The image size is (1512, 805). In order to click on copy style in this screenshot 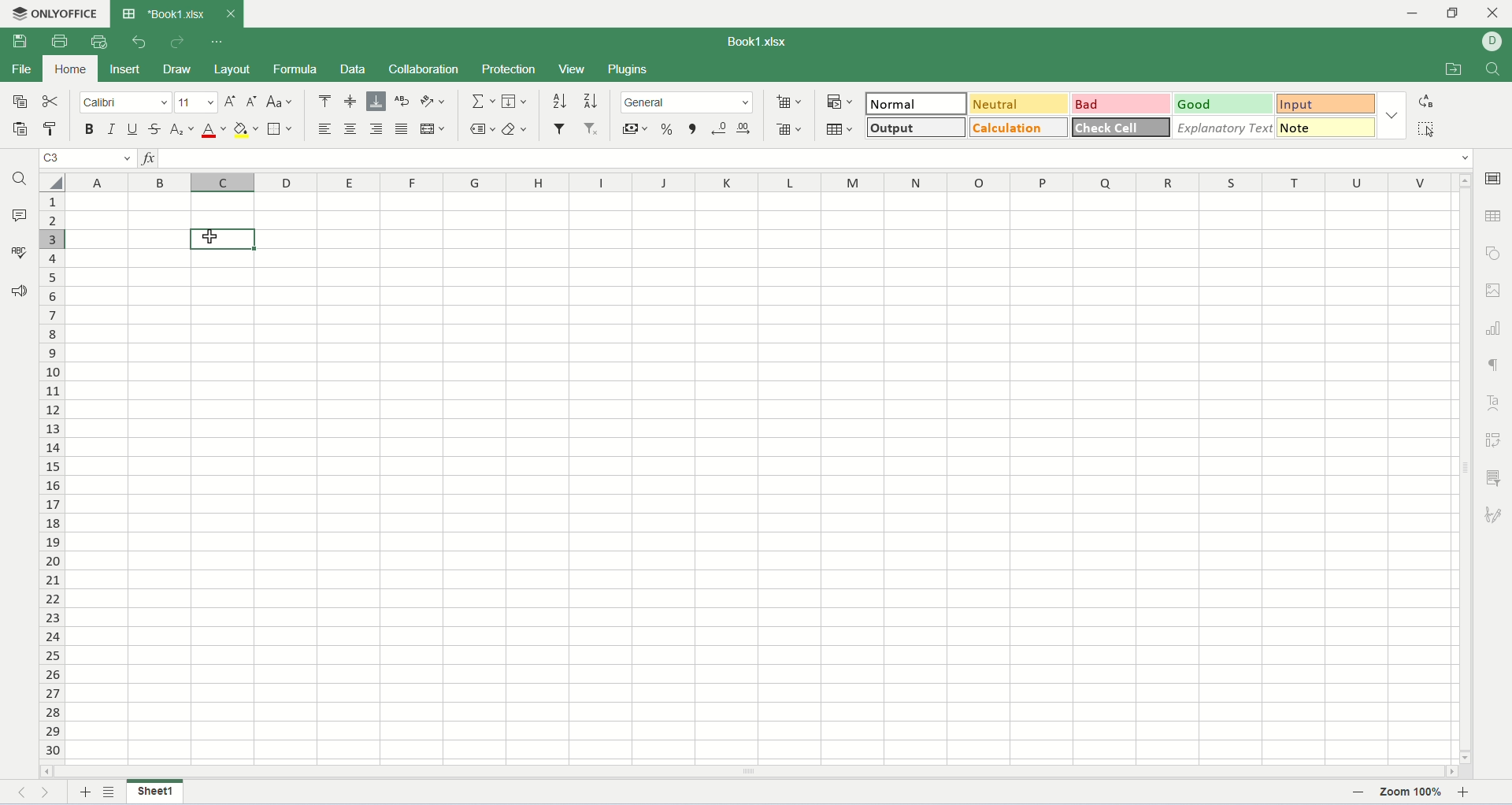, I will do `click(51, 129)`.